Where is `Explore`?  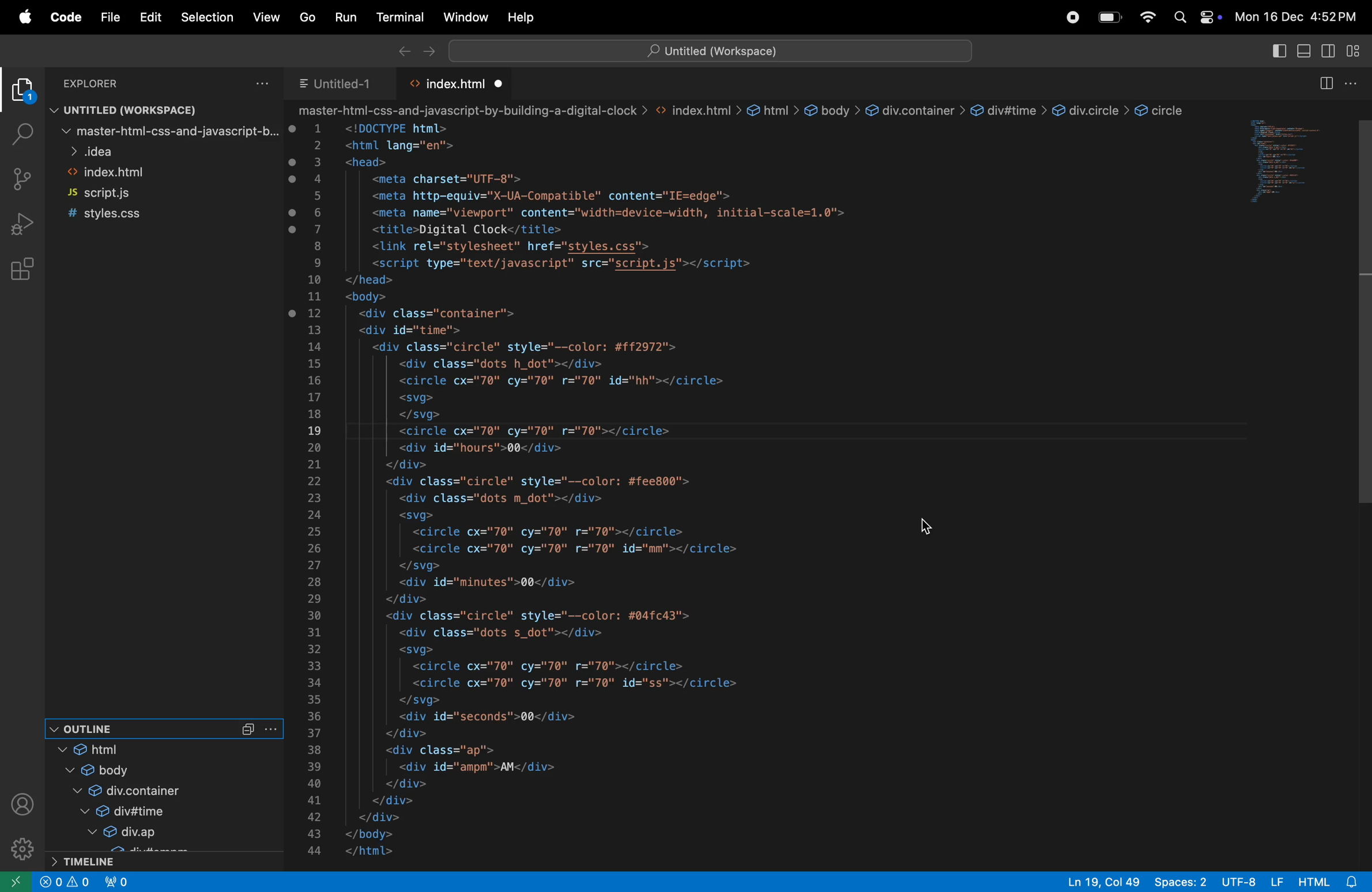 Explore is located at coordinates (105, 84).